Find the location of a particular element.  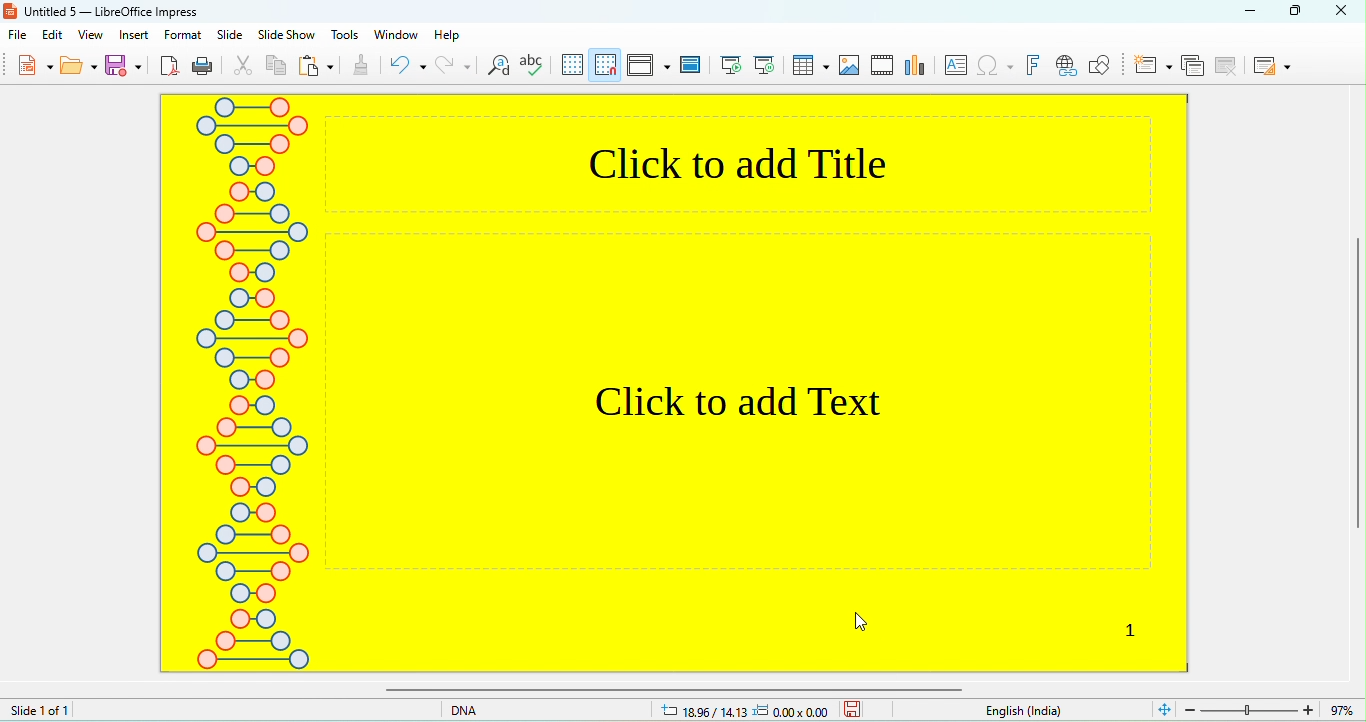

master slide is located at coordinates (692, 63).